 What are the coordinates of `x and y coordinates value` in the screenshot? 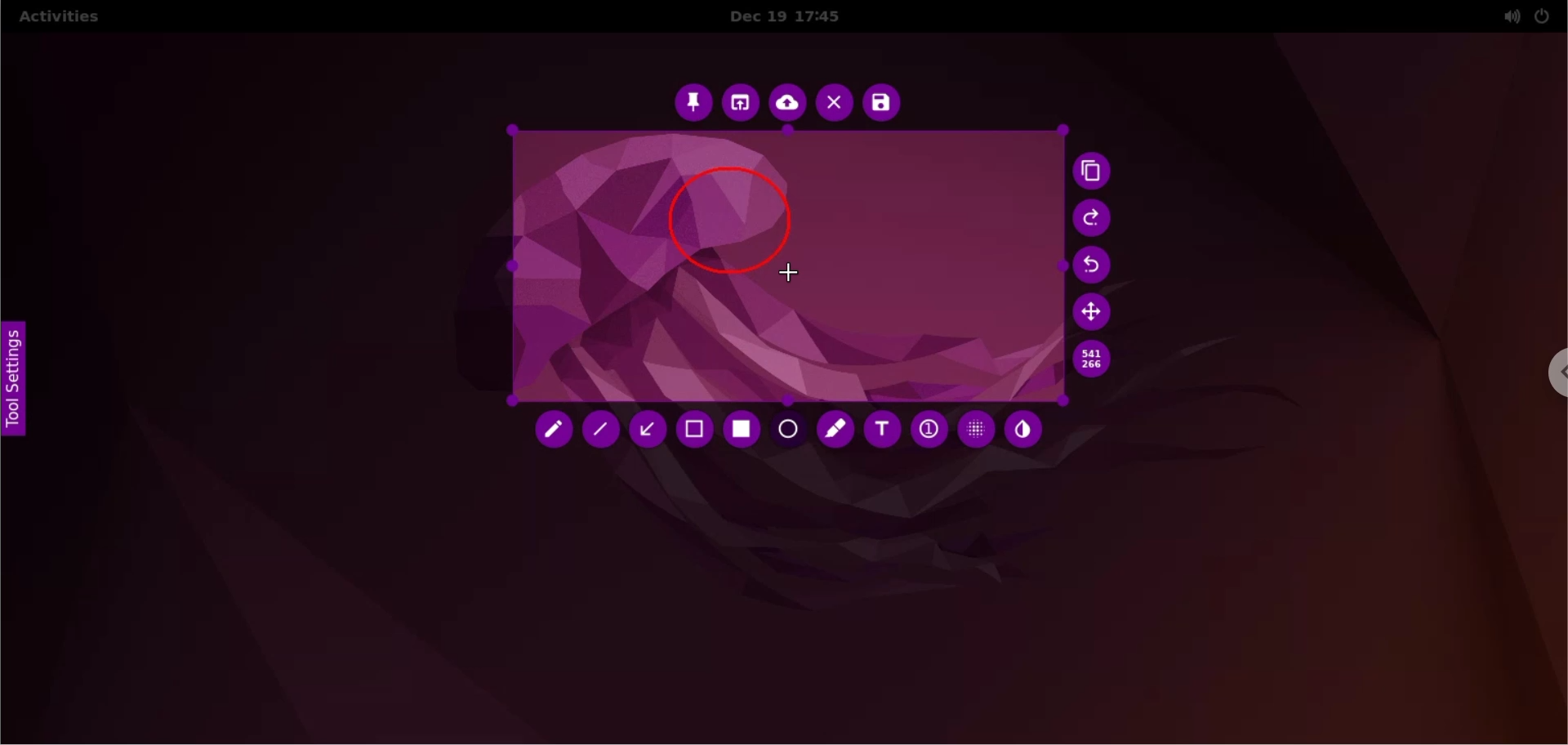 It's located at (1092, 359).